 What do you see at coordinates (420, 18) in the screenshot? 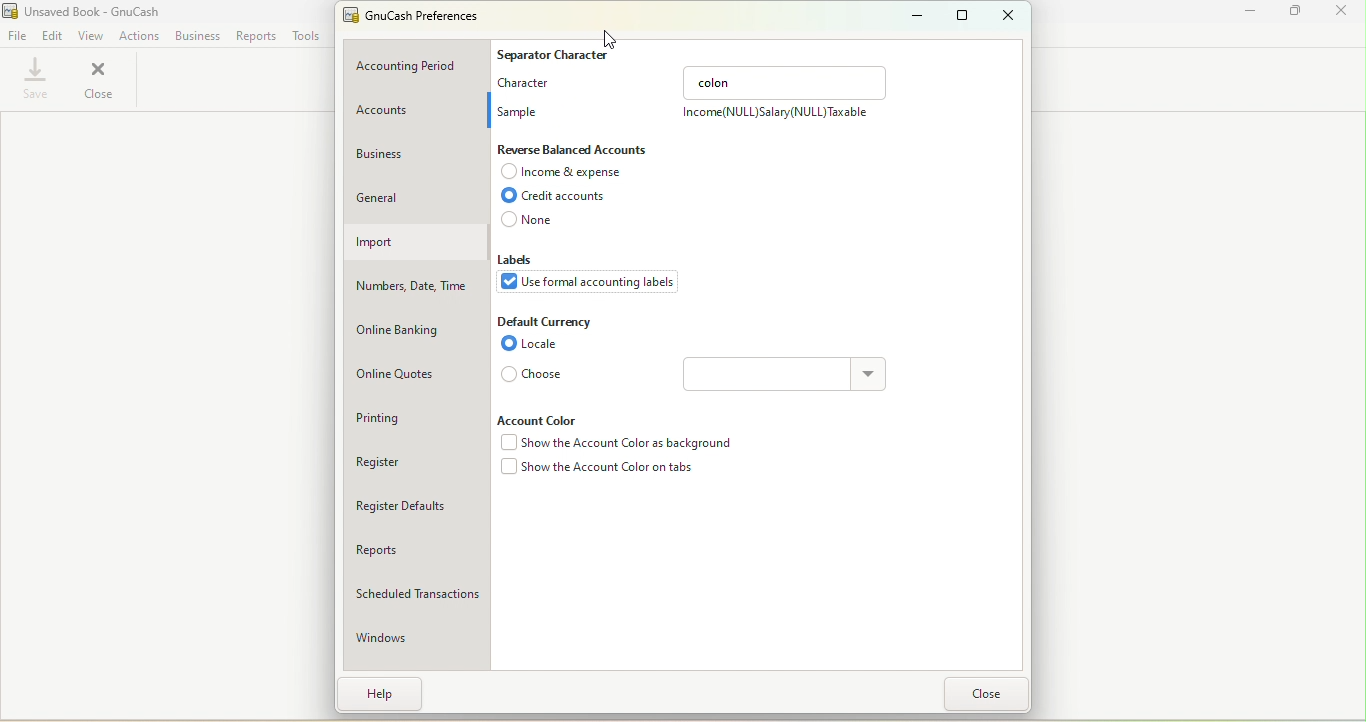
I see `File name` at bounding box center [420, 18].